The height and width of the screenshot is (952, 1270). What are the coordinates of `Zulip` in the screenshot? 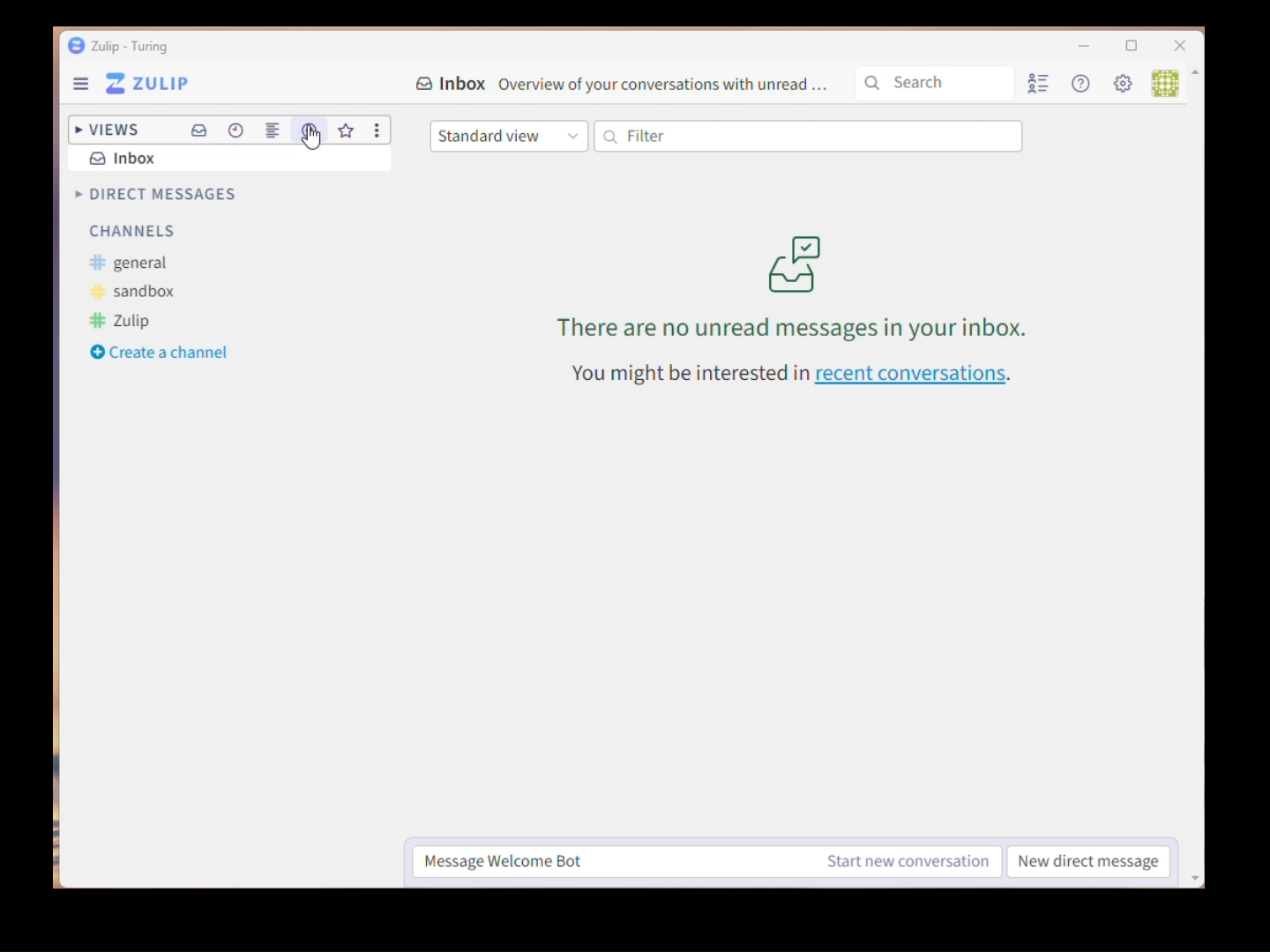 It's located at (120, 46).